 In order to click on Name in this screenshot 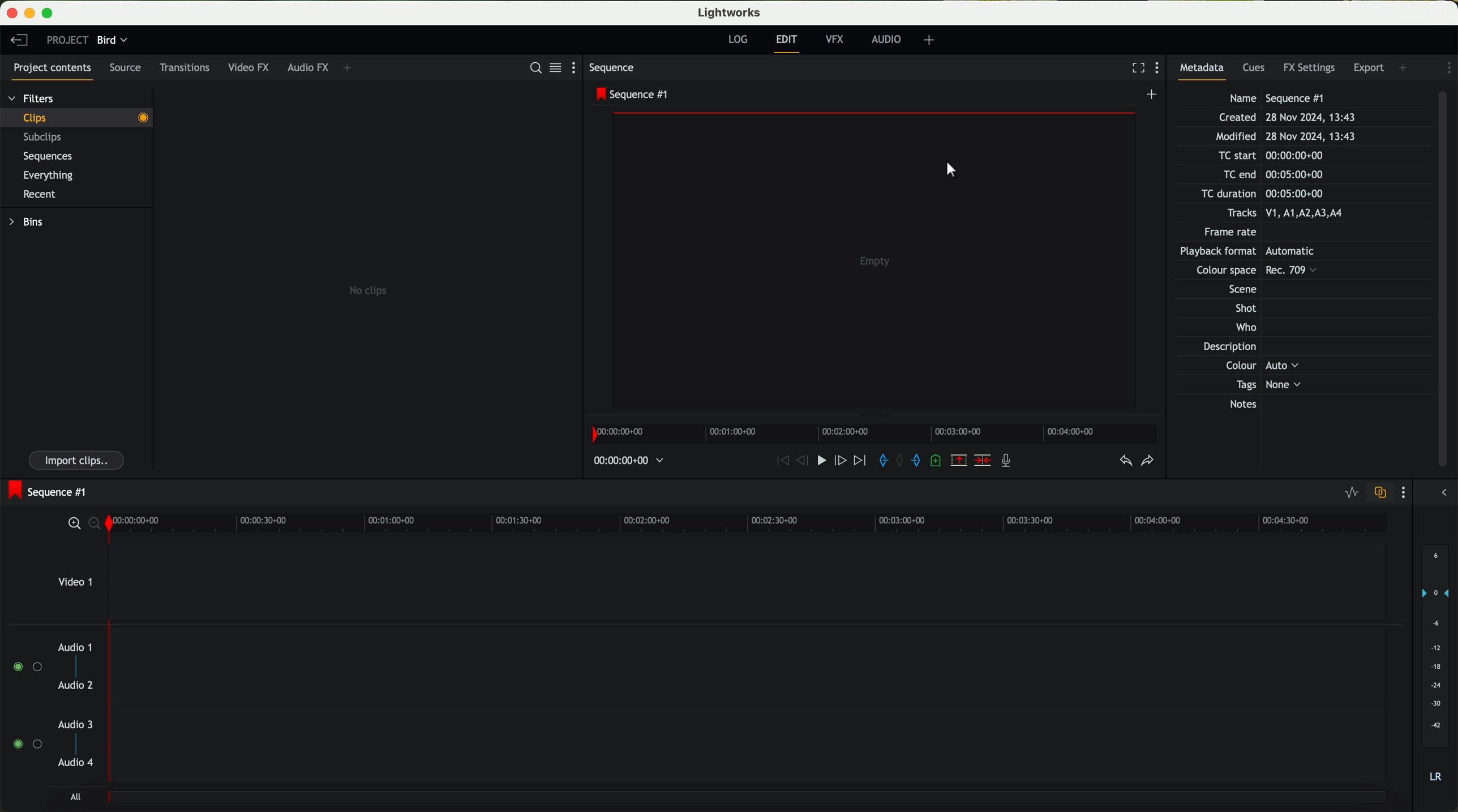, I will do `click(1318, 98)`.